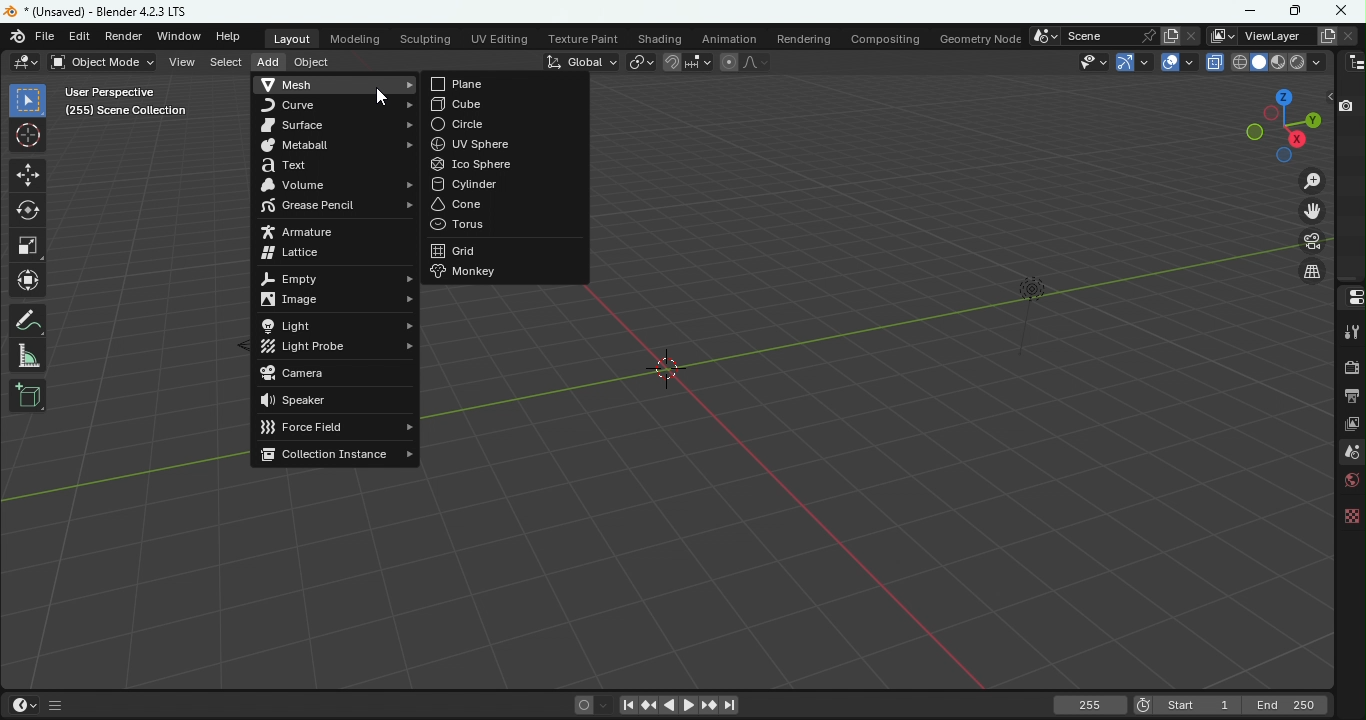  Describe the element at coordinates (336, 254) in the screenshot. I see `Lattice` at that location.